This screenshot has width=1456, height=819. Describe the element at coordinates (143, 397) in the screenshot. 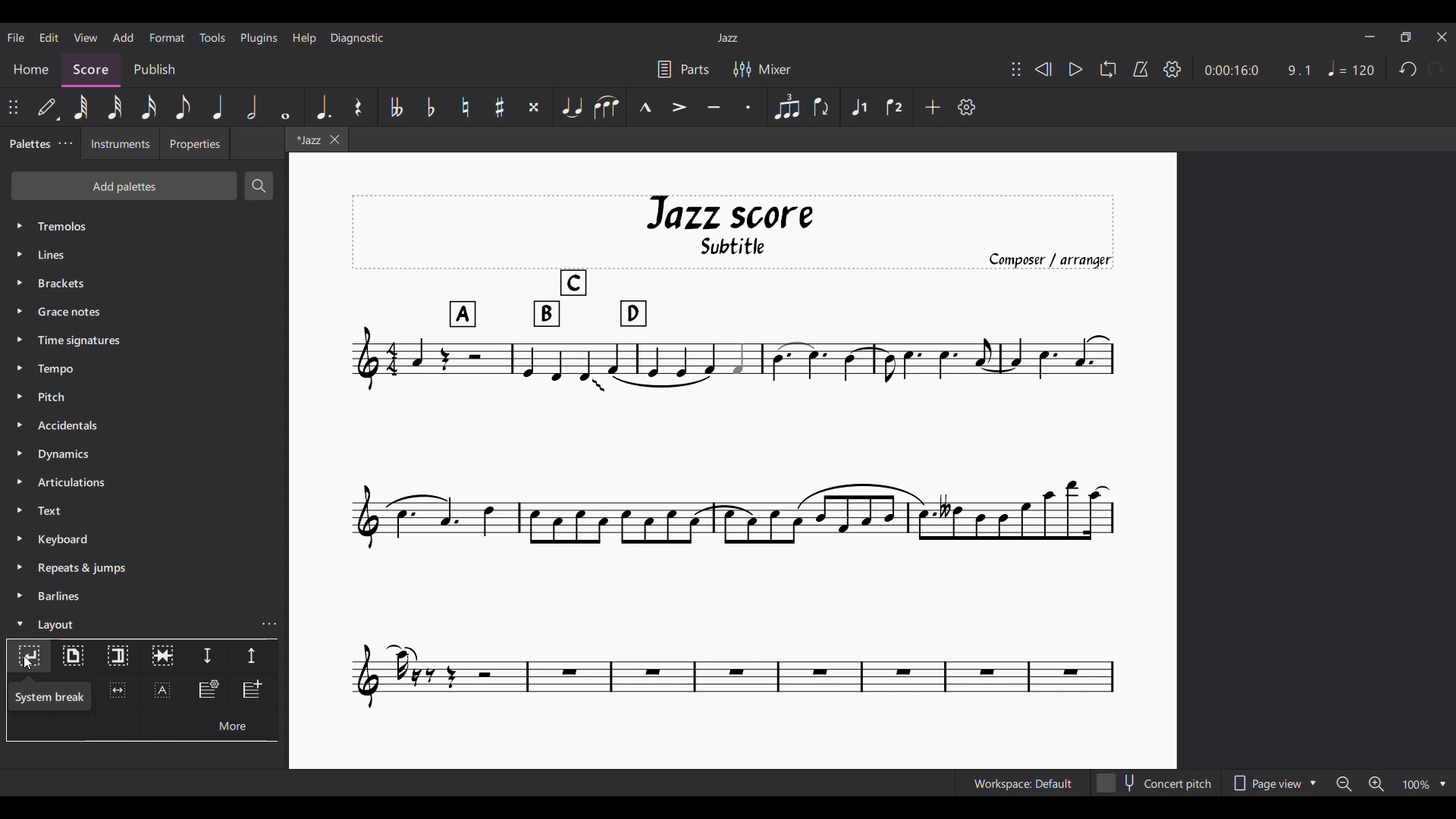

I see `Pitch` at that location.